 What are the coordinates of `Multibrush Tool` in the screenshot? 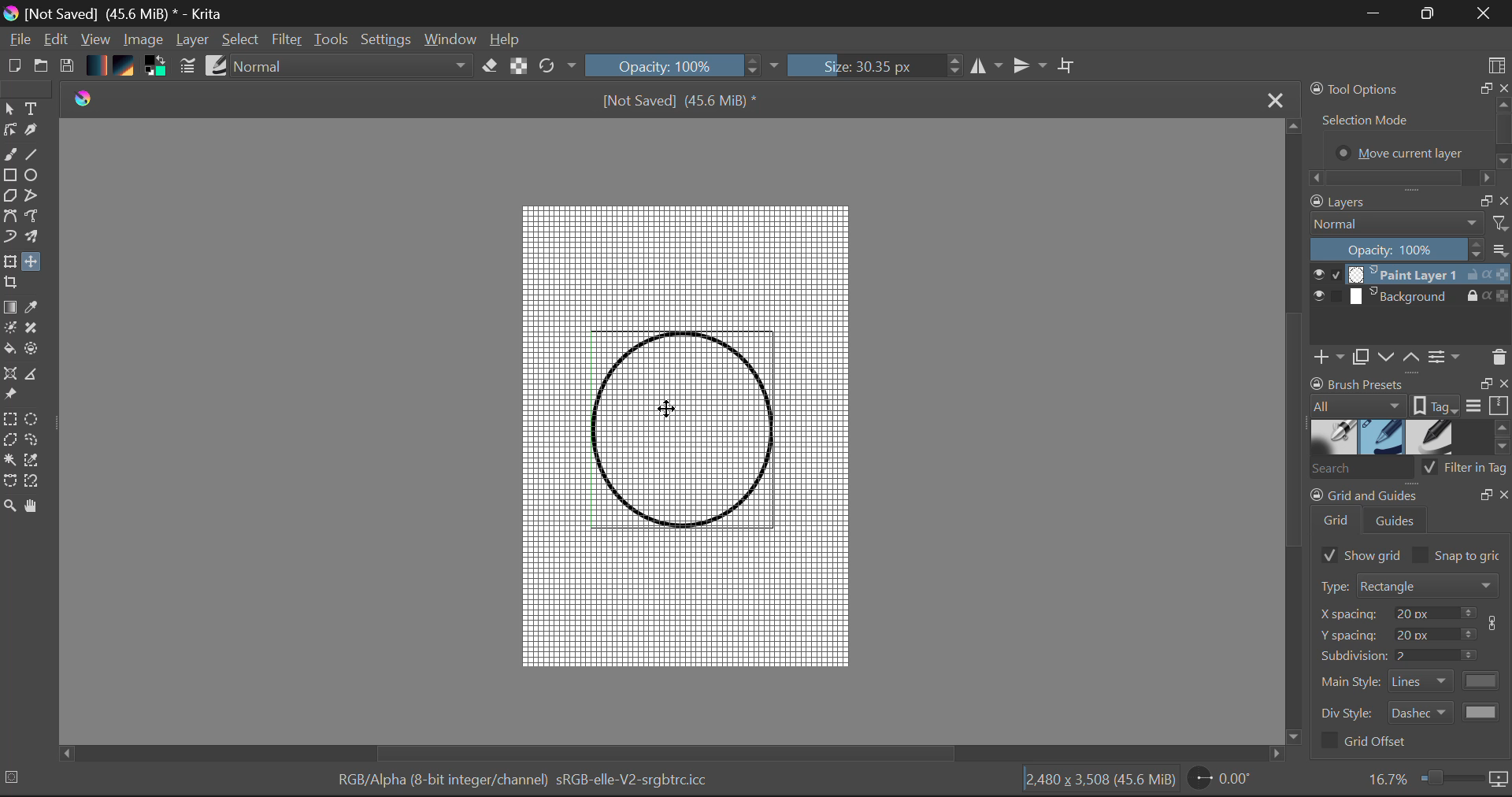 It's located at (38, 240).